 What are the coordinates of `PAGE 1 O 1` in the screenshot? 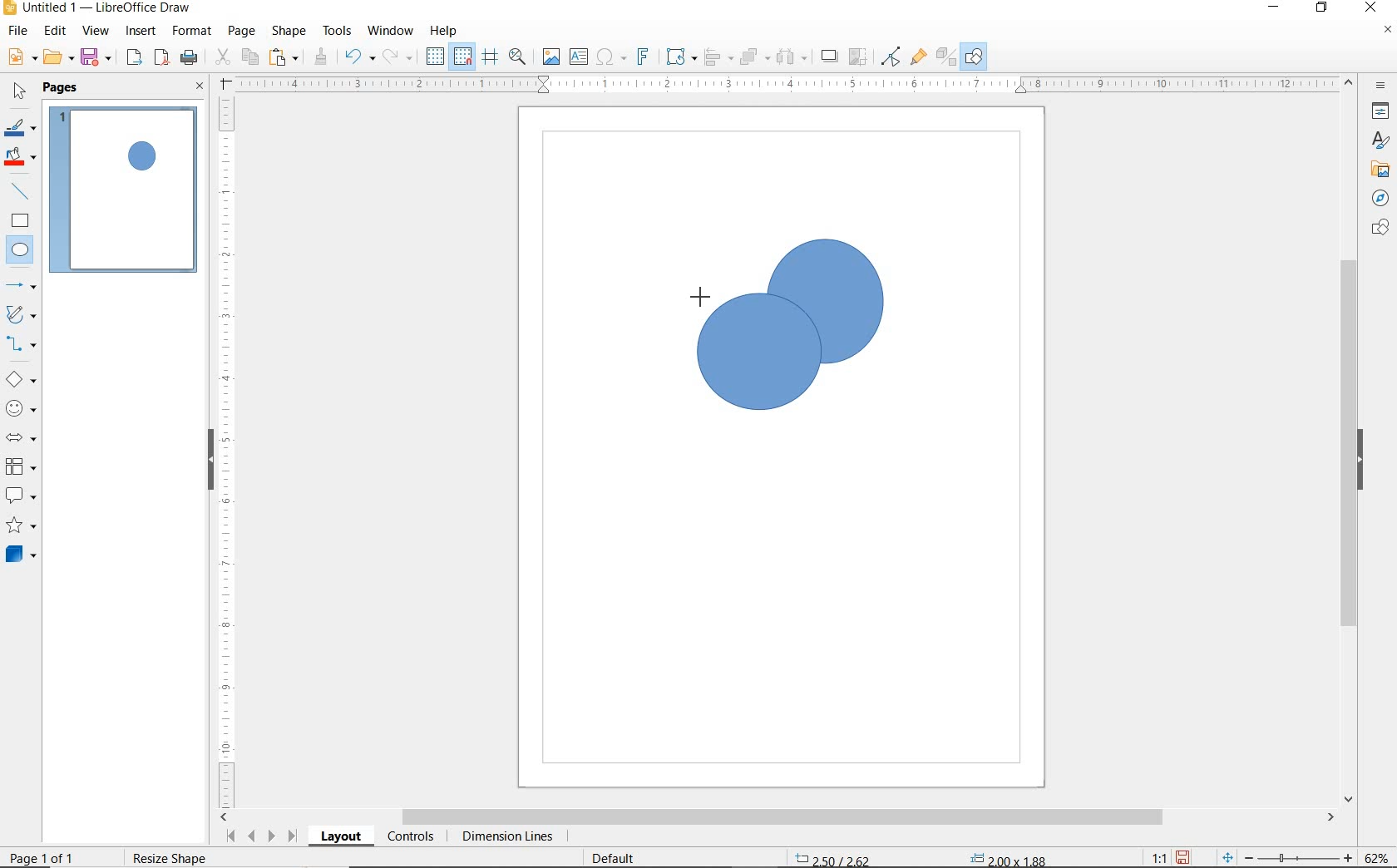 It's located at (54, 851).